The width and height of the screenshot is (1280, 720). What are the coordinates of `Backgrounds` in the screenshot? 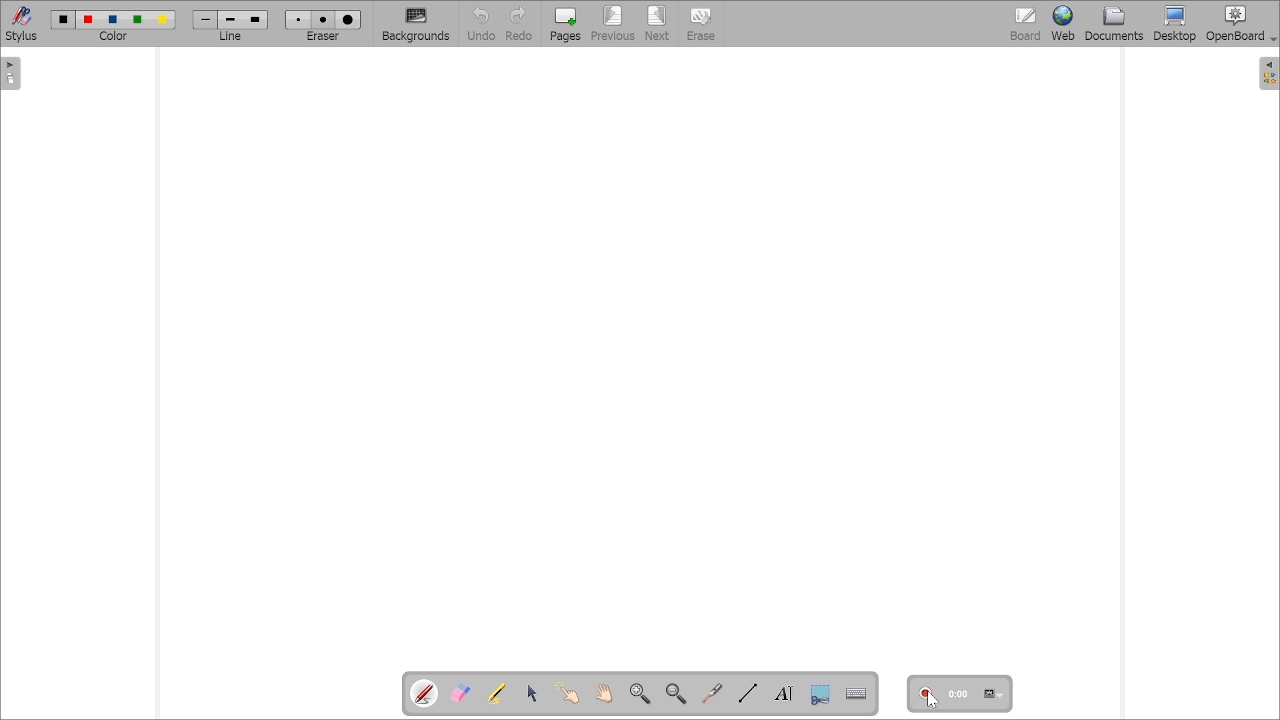 It's located at (415, 25).